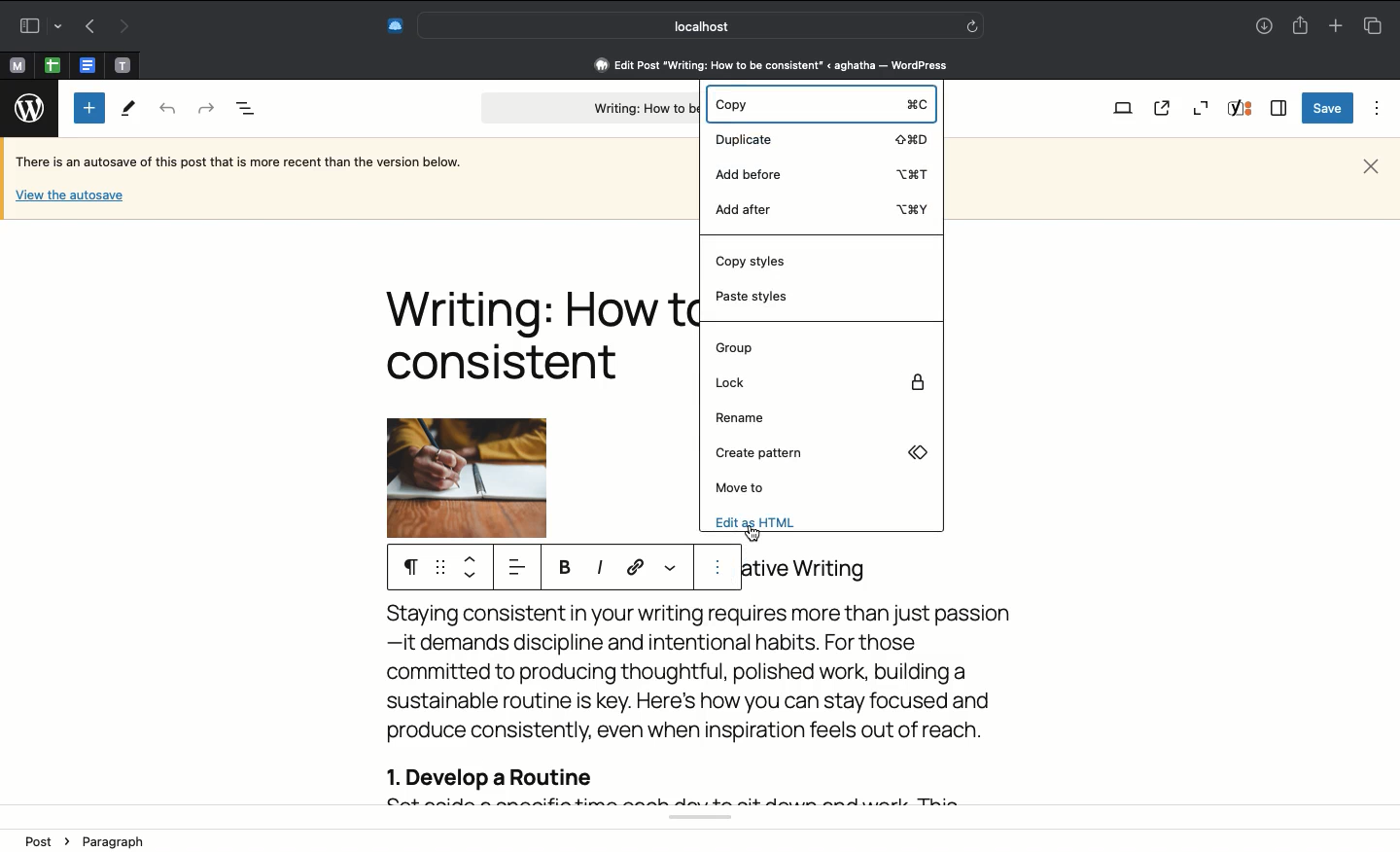  I want to click on Options, so click(719, 567).